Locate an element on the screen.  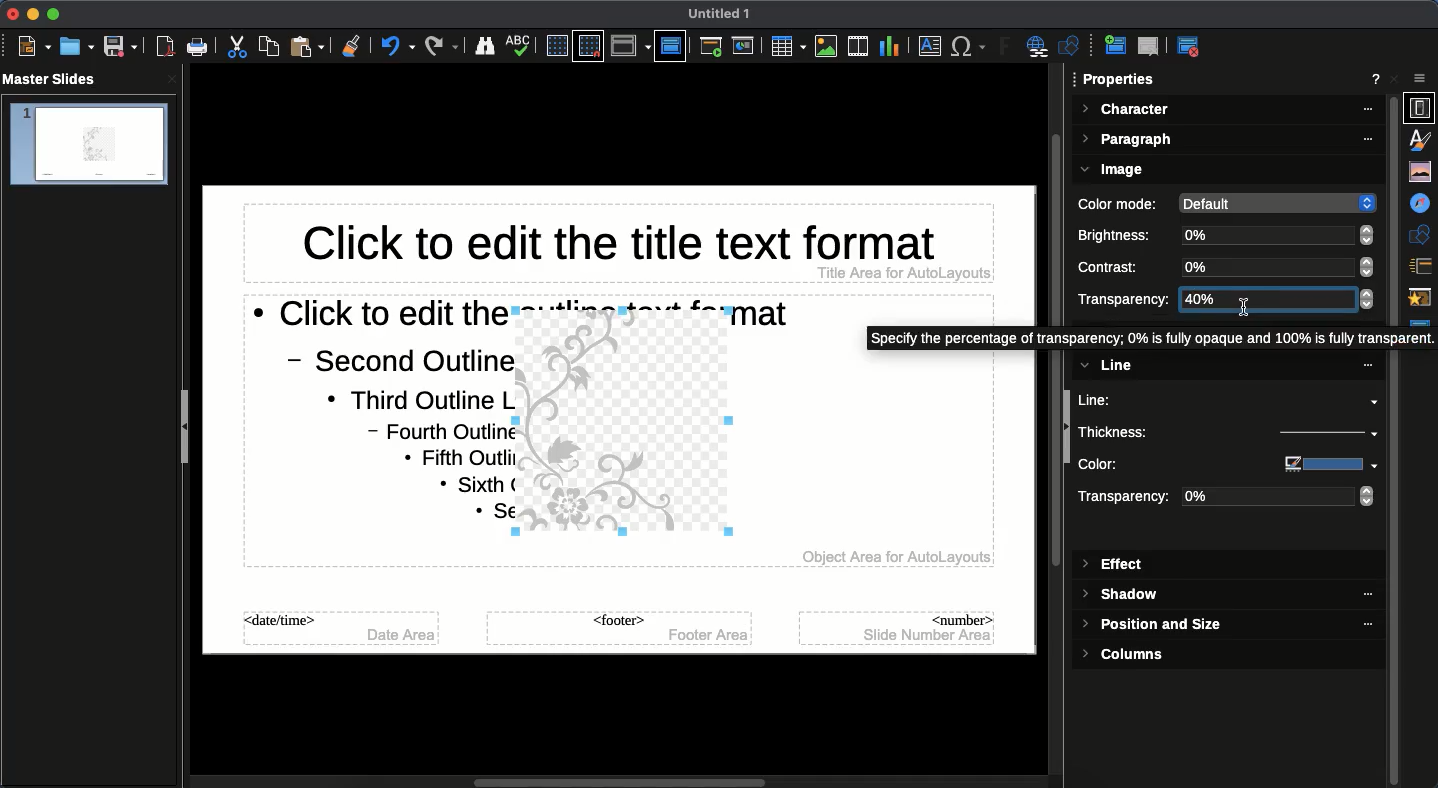
Help is located at coordinates (1376, 81).